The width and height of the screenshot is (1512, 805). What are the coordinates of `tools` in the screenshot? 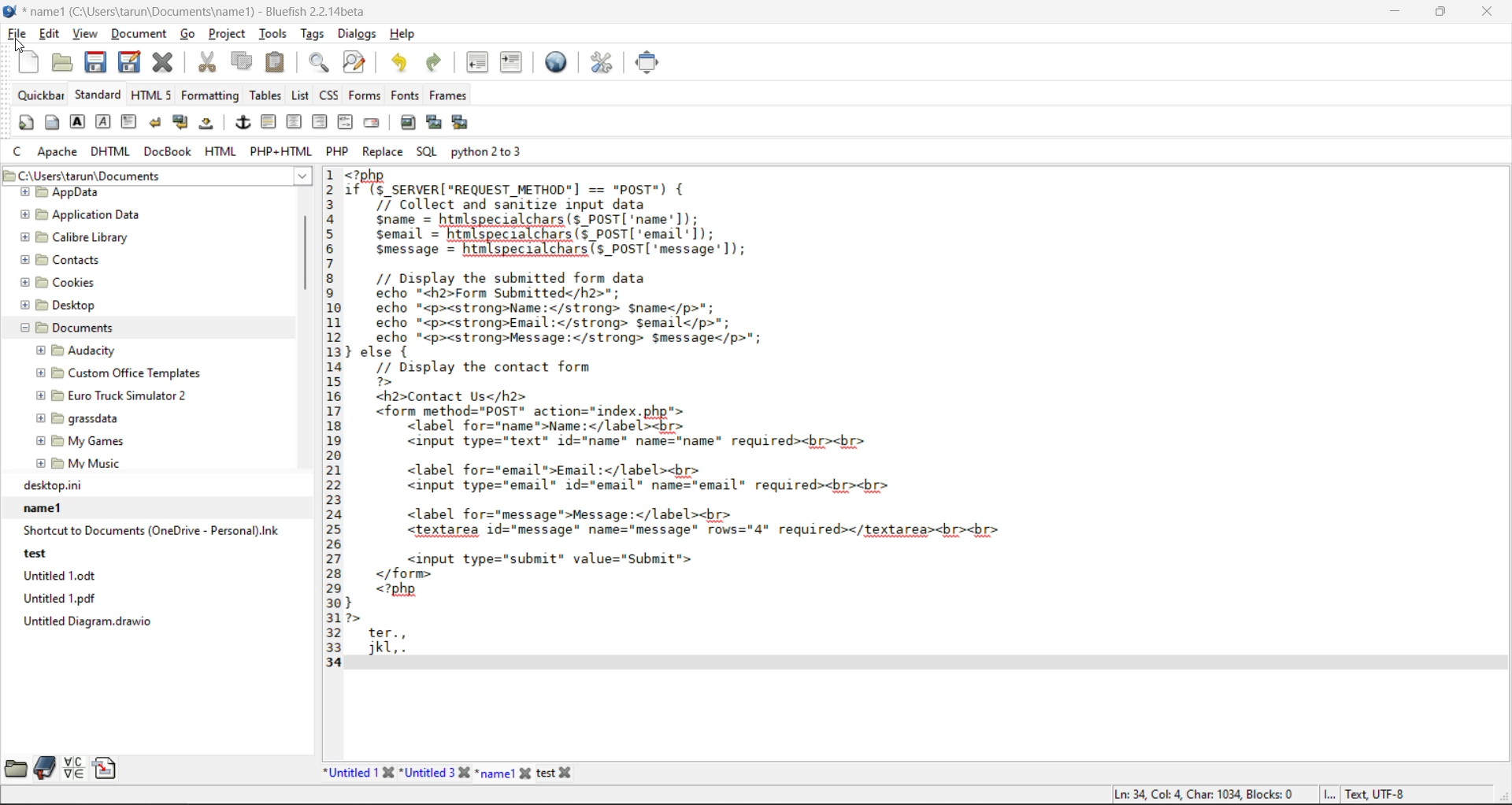 It's located at (274, 34).